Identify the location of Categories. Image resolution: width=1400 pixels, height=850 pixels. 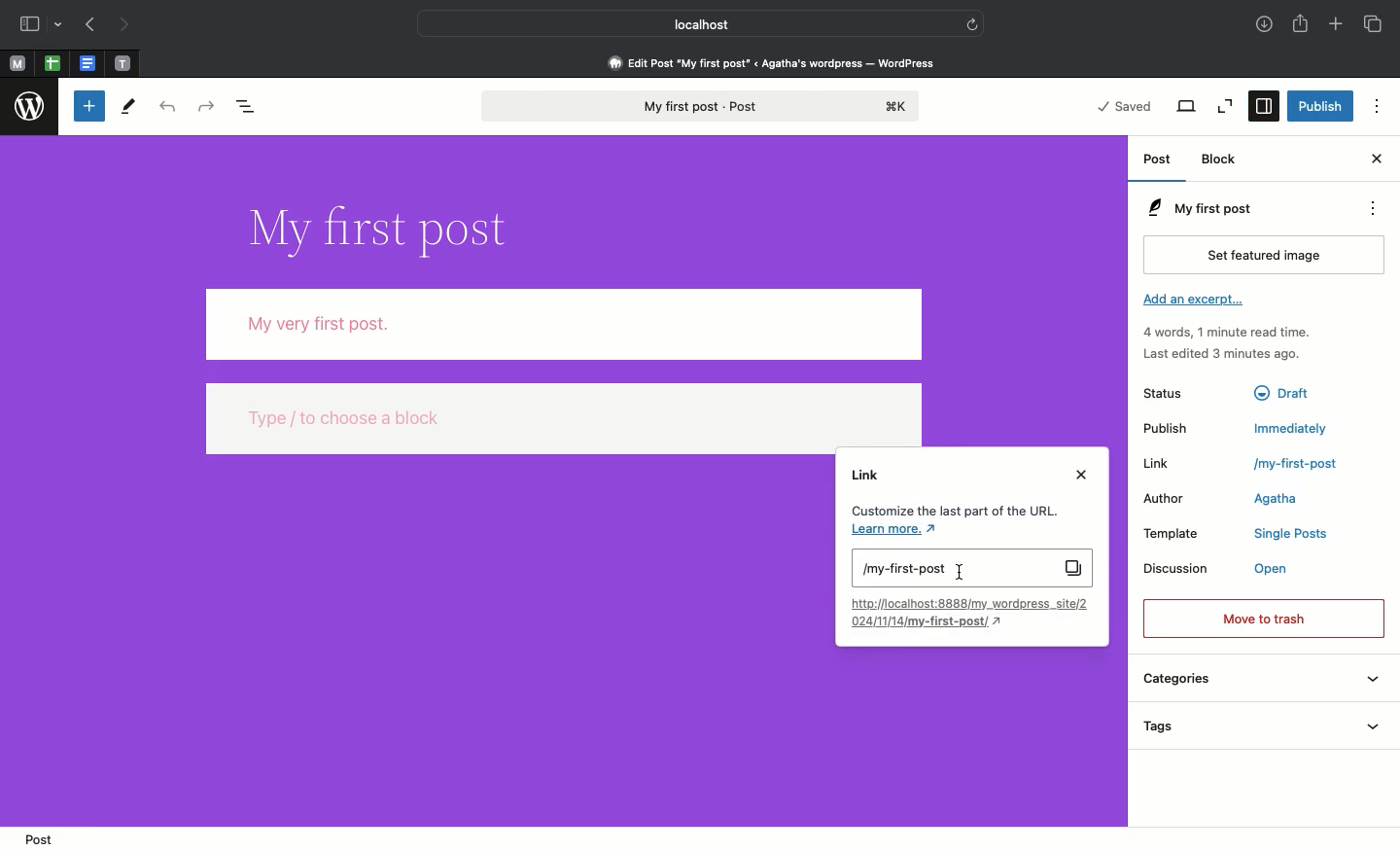
(1261, 680).